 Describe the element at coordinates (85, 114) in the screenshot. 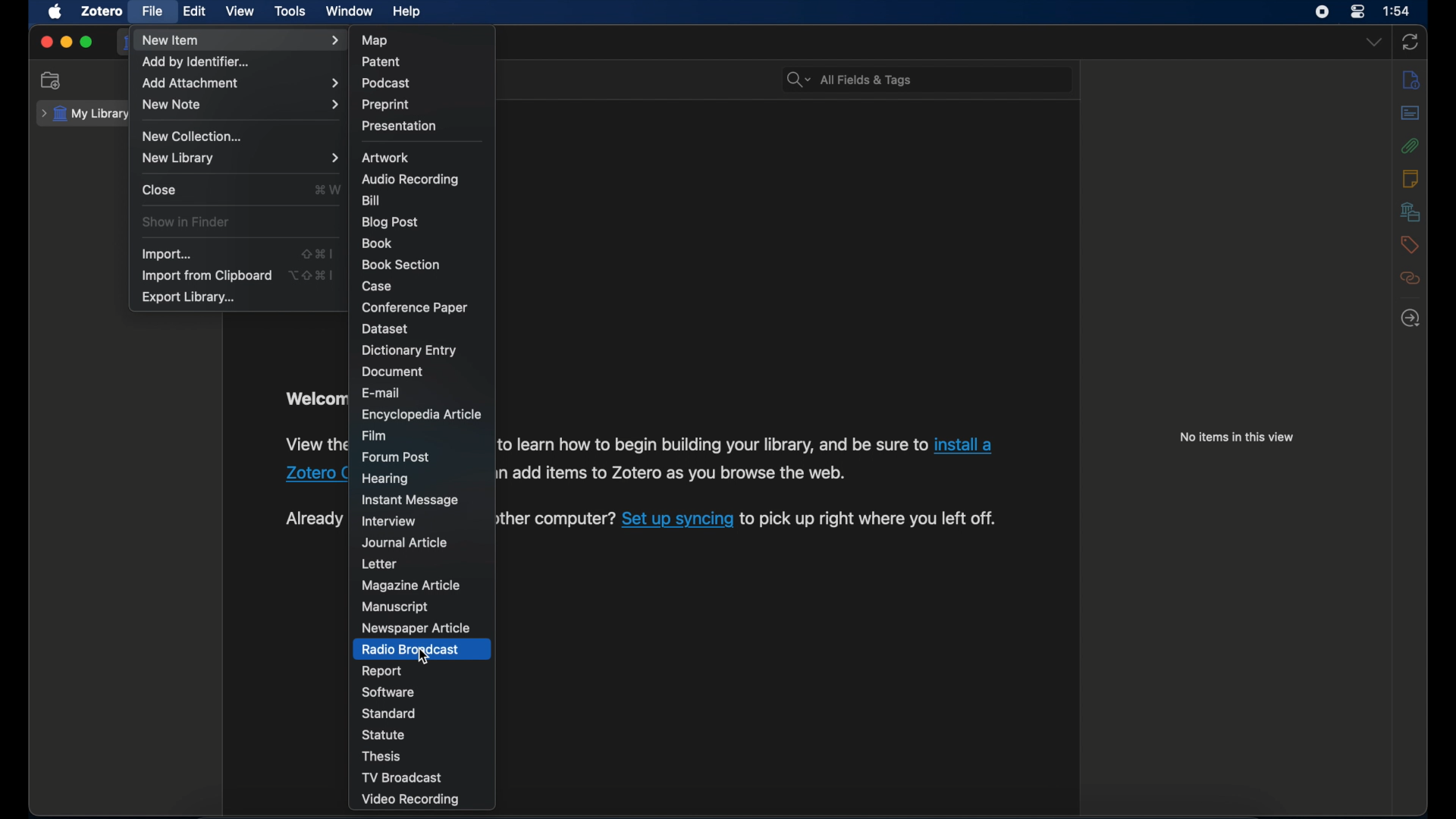

I see `my library` at that location.